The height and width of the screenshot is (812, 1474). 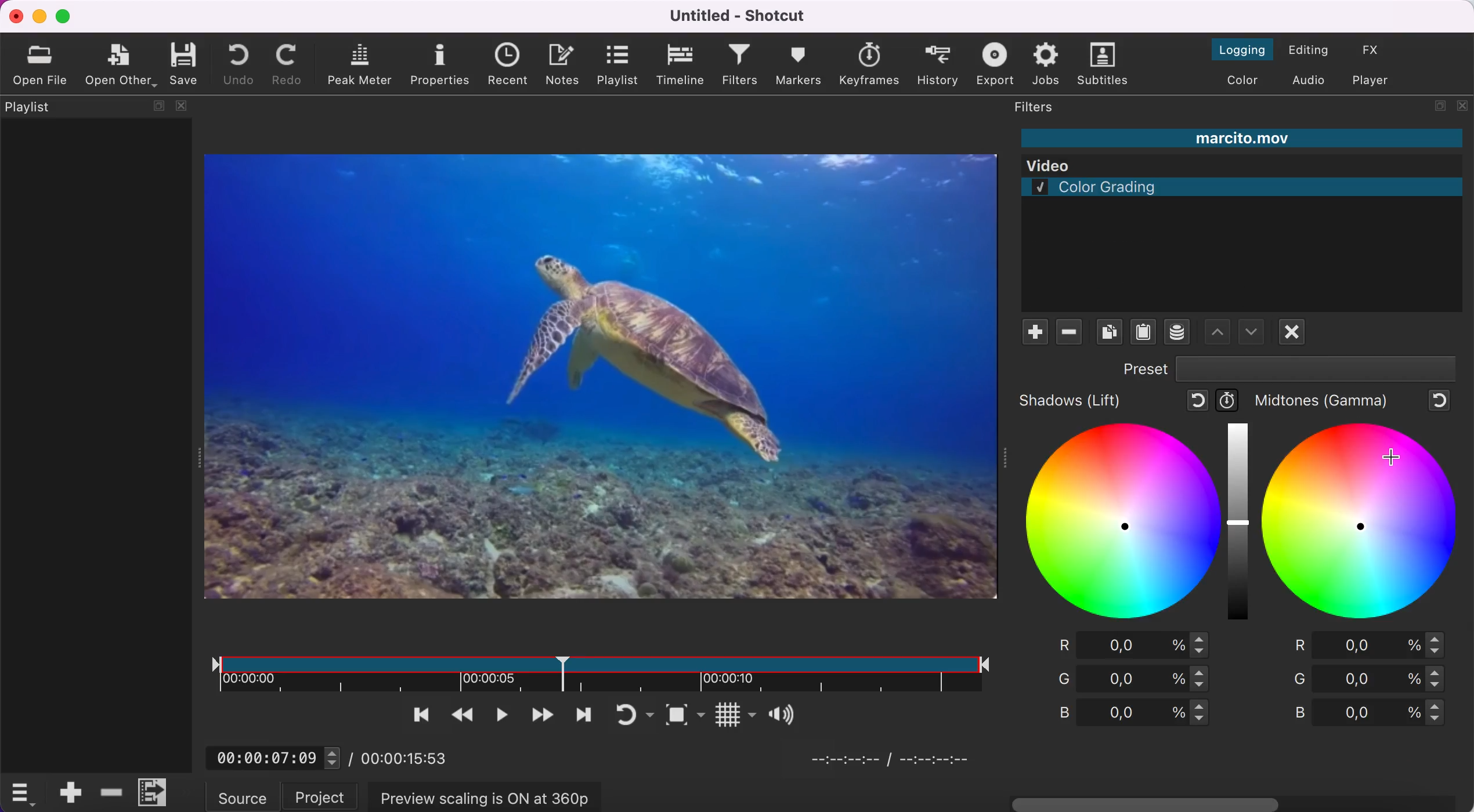 I want to click on recent, so click(x=507, y=66).